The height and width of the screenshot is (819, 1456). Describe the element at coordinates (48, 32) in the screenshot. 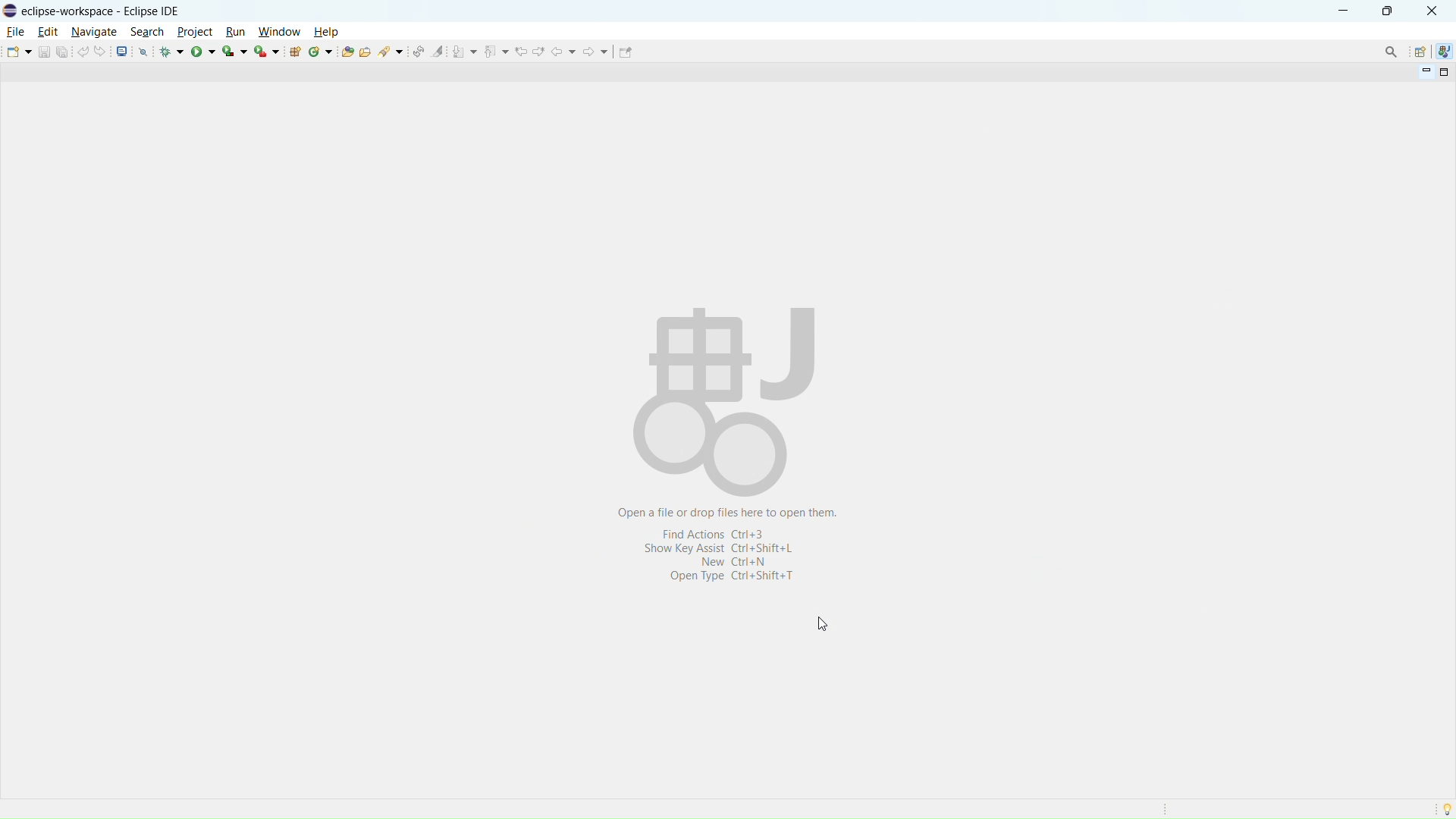

I see `edit` at that location.